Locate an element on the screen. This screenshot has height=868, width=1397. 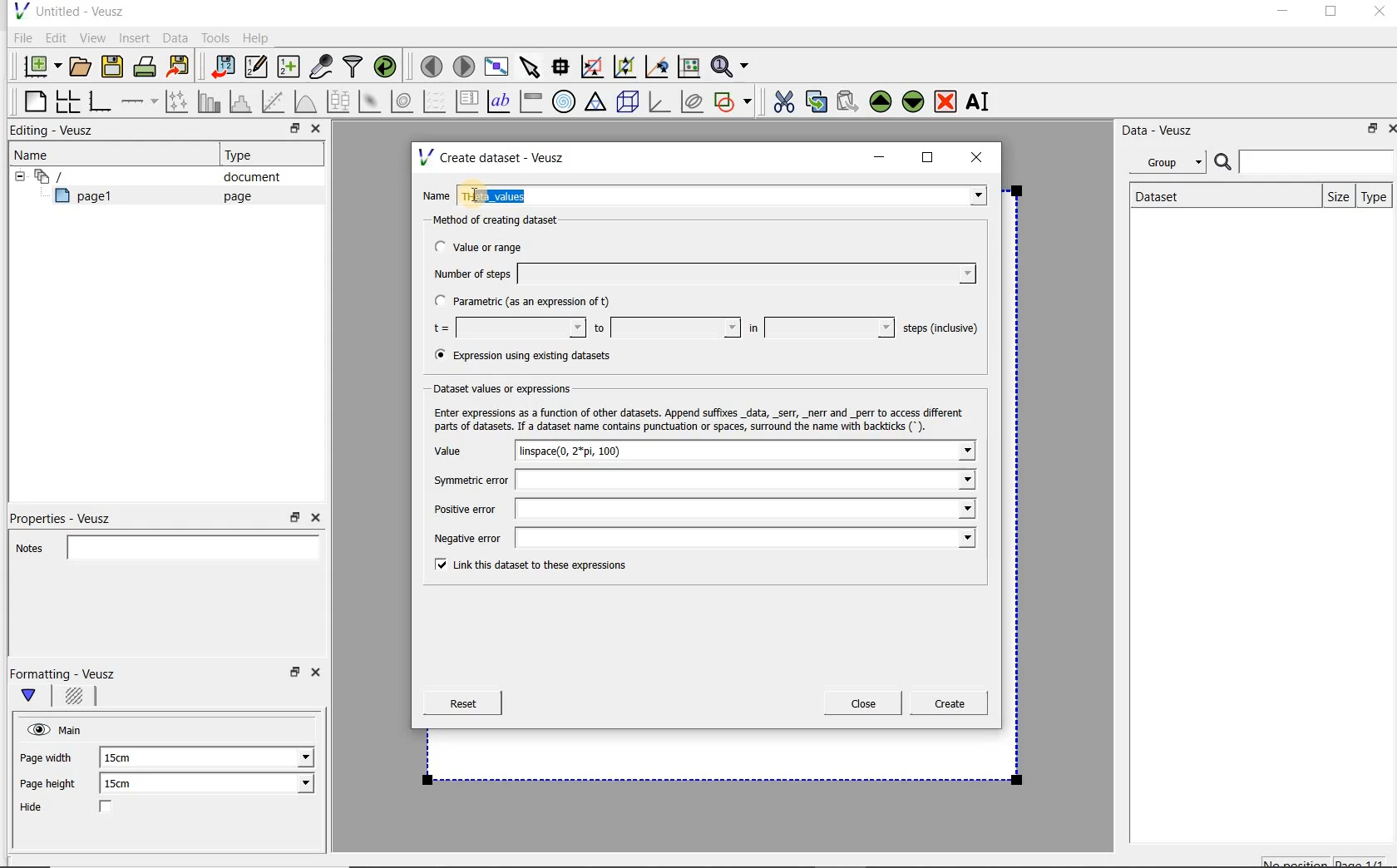
Type is located at coordinates (245, 155).